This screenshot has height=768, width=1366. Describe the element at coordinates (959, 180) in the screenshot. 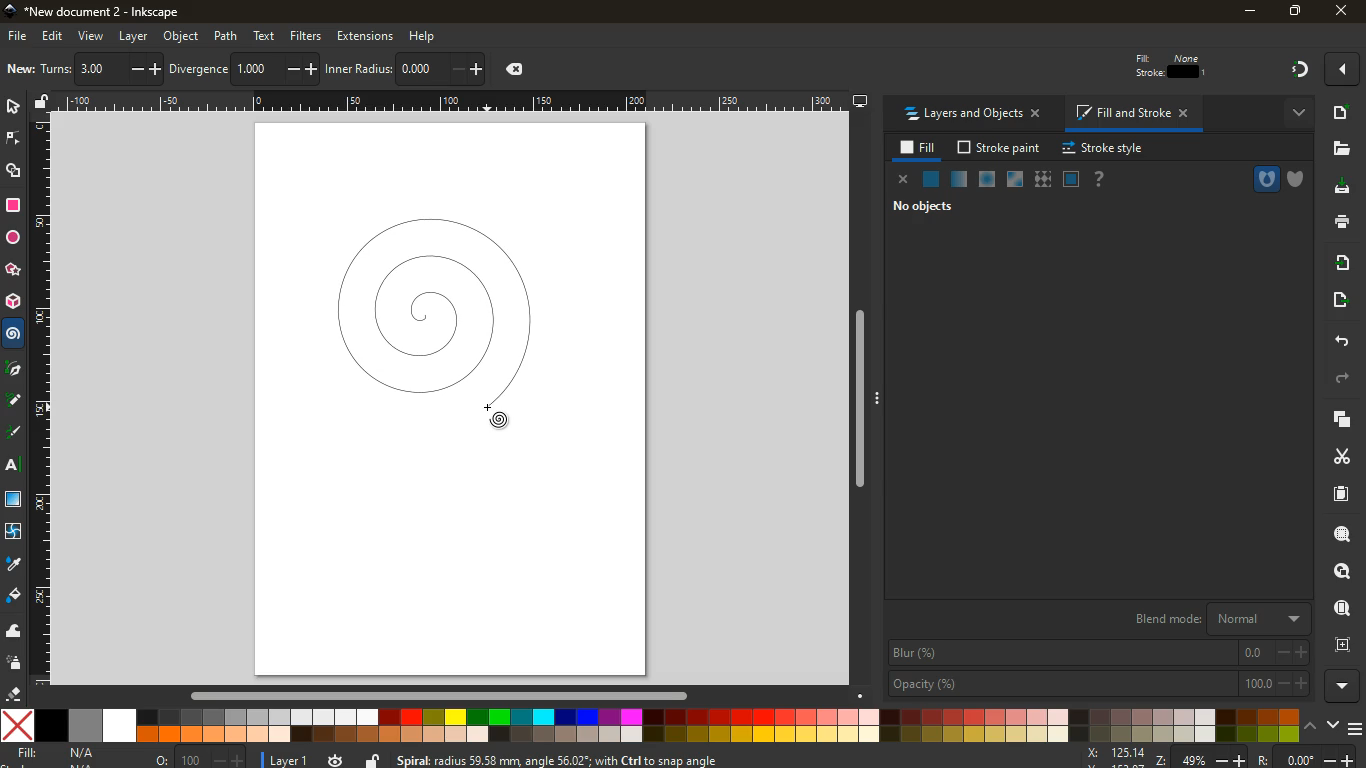

I see `opacity` at that location.